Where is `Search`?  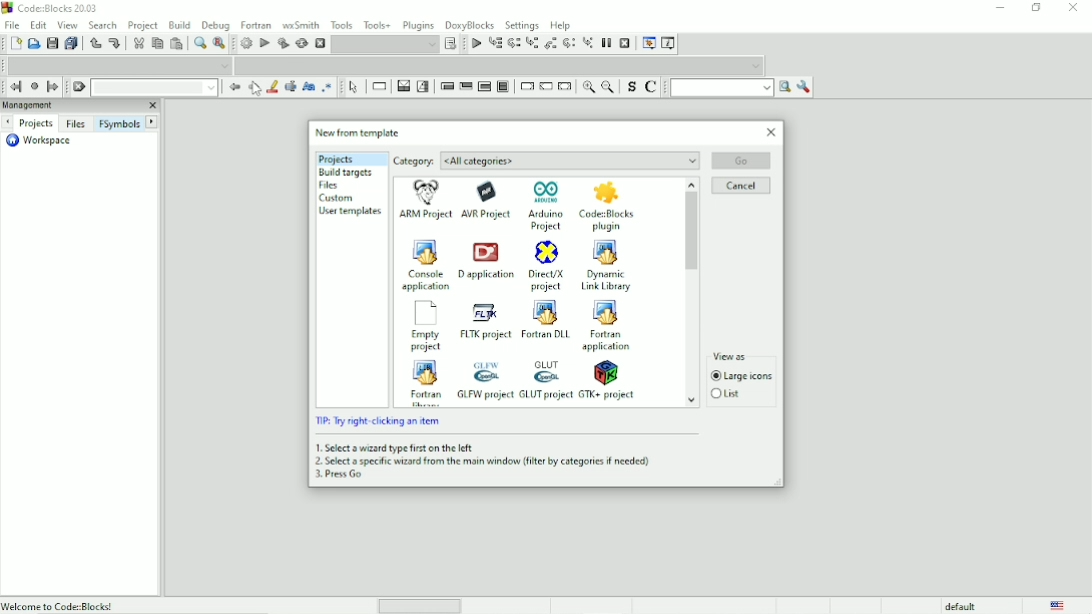 Search is located at coordinates (103, 25).